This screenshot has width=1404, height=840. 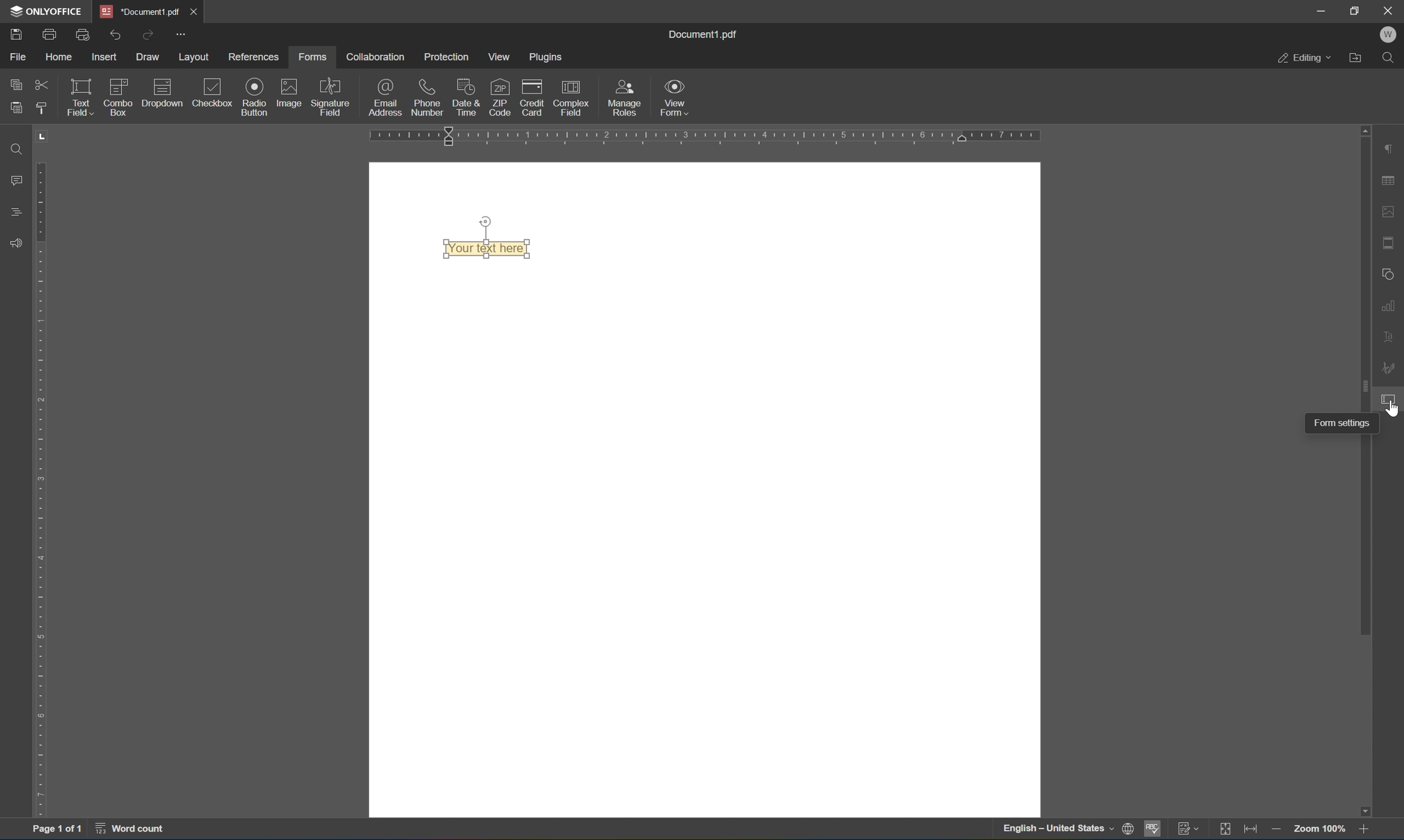 What do you see at coordinates (571, 102) in the screenshot?
I see `complex field` at bounding box center [571, 102].